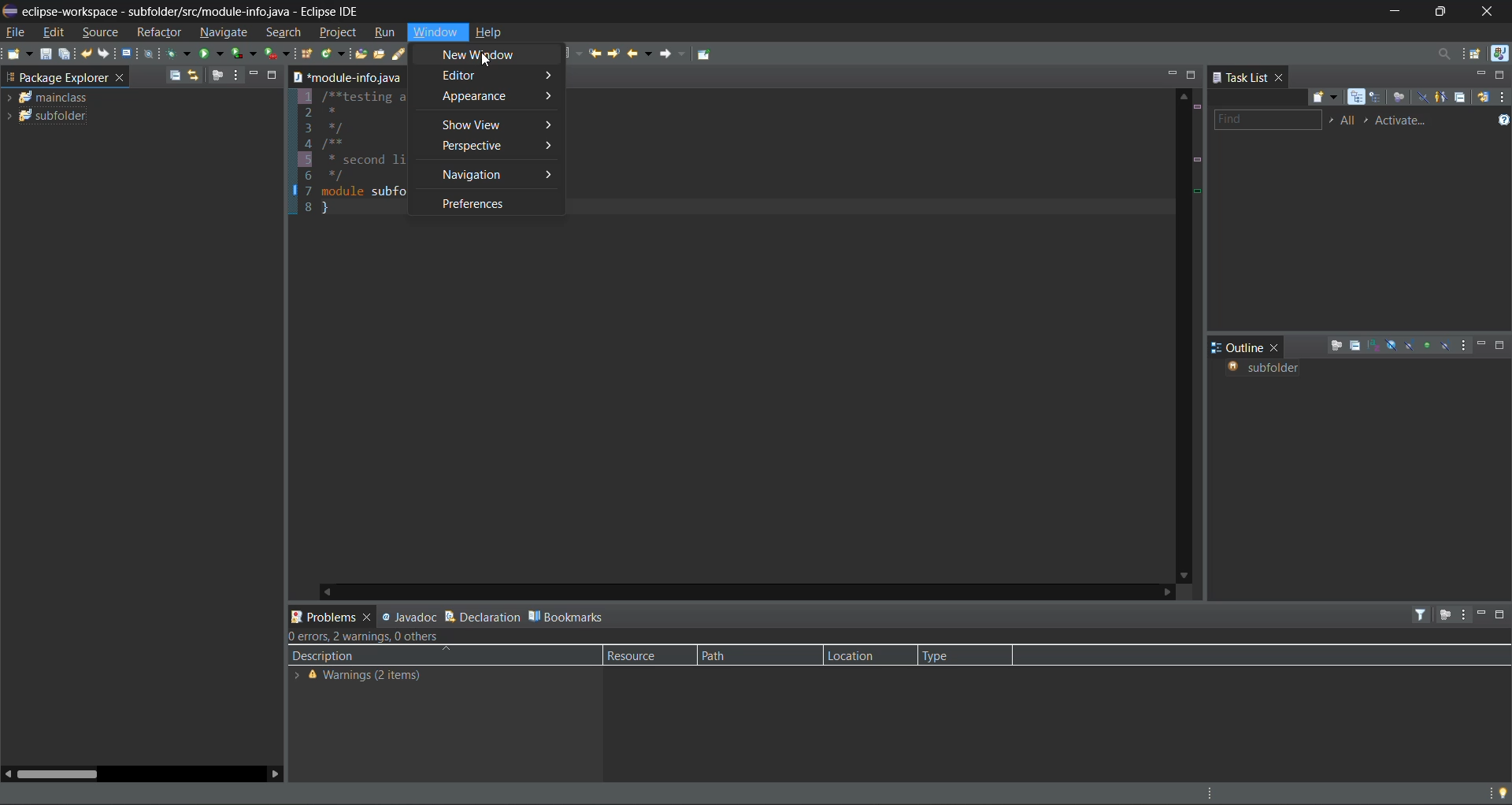 This screenshot has height=805, width=1512. What do you see at coordinates (180, 54) in the screenshot?
I see `debug` at bounding box center [180, 54].